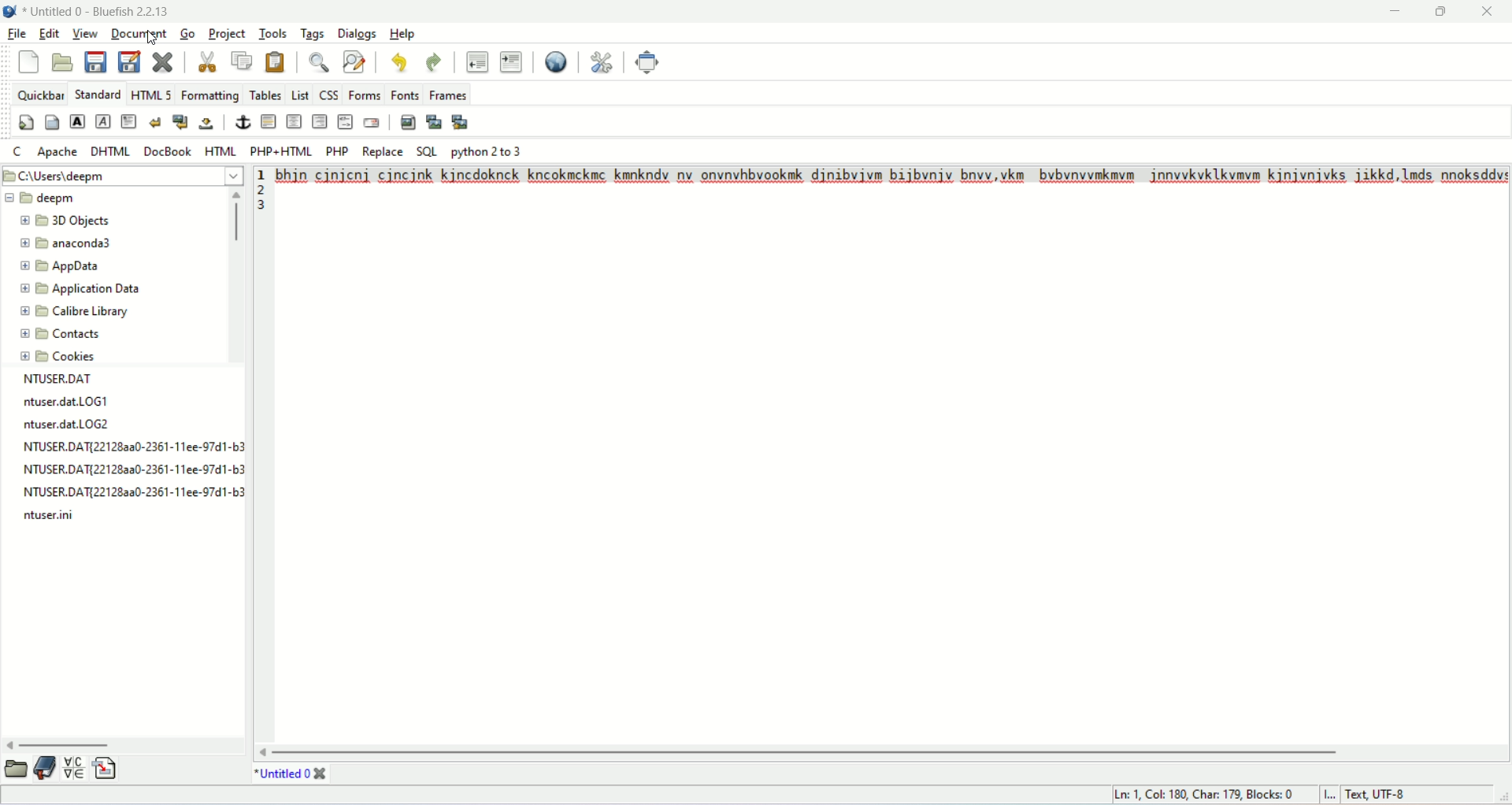 This screenshot has width=1512, height=805. Describe the element at coordinates (80, 288) in the screenshot. I see `application data` at that location.